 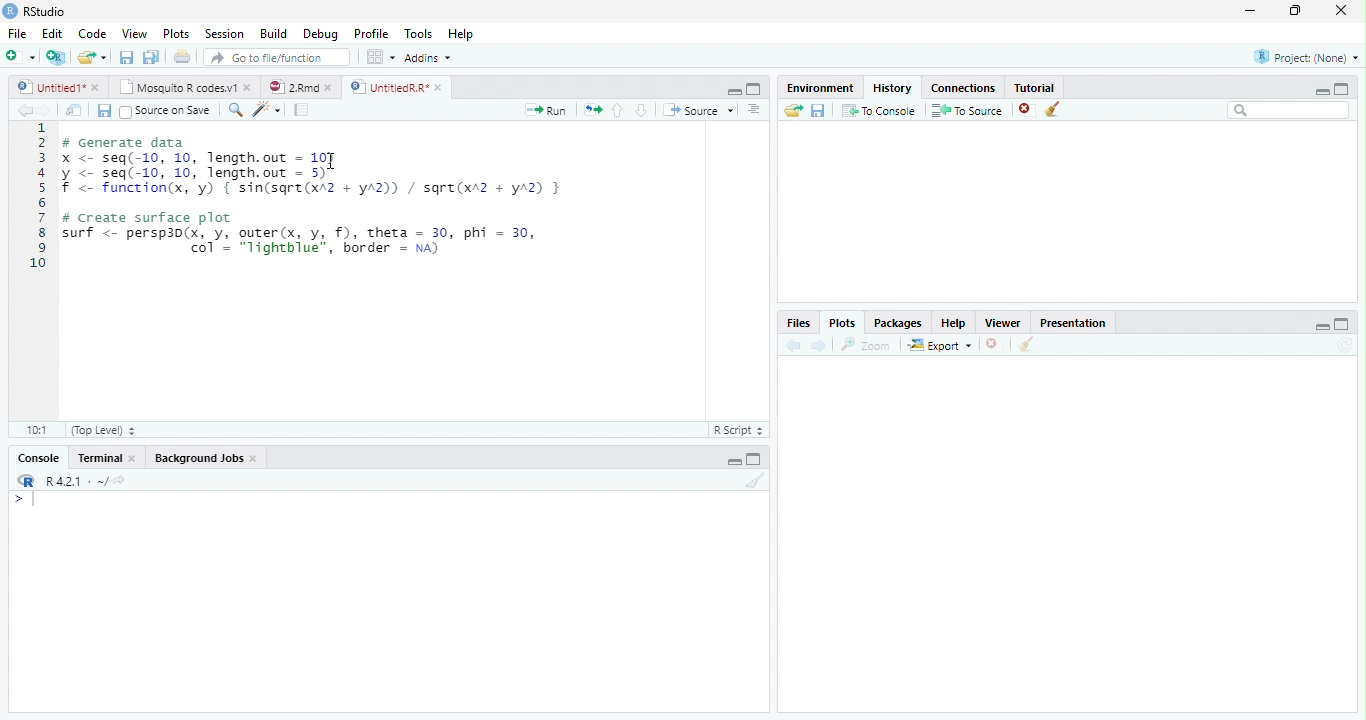 What do you see at coordinates (732, 91) in the screenshot?
I see `Minimize` at bounding box center [732, 91].